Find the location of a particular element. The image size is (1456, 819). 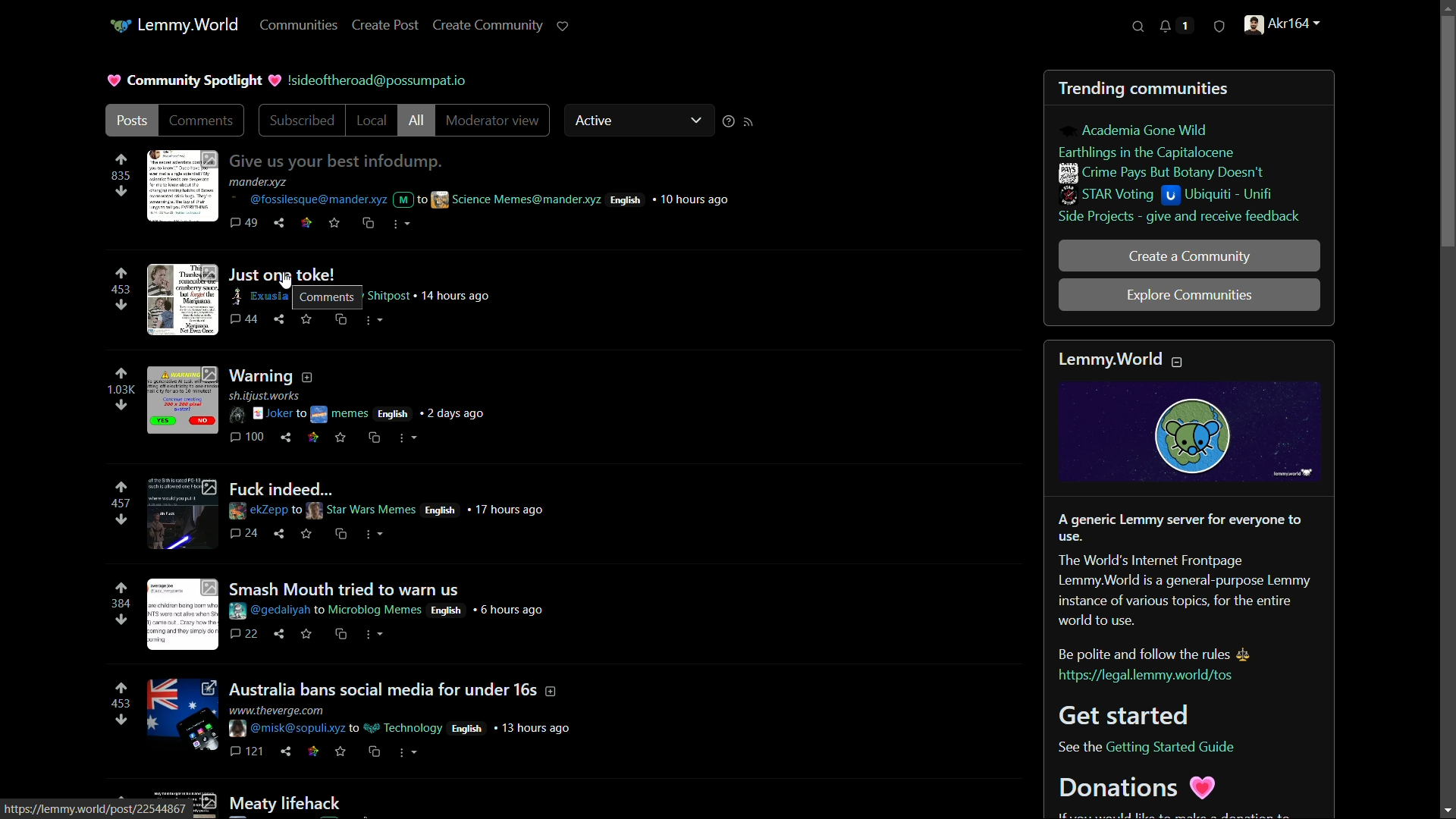

Getting Started Guide is located at coordinates (1177, 747).